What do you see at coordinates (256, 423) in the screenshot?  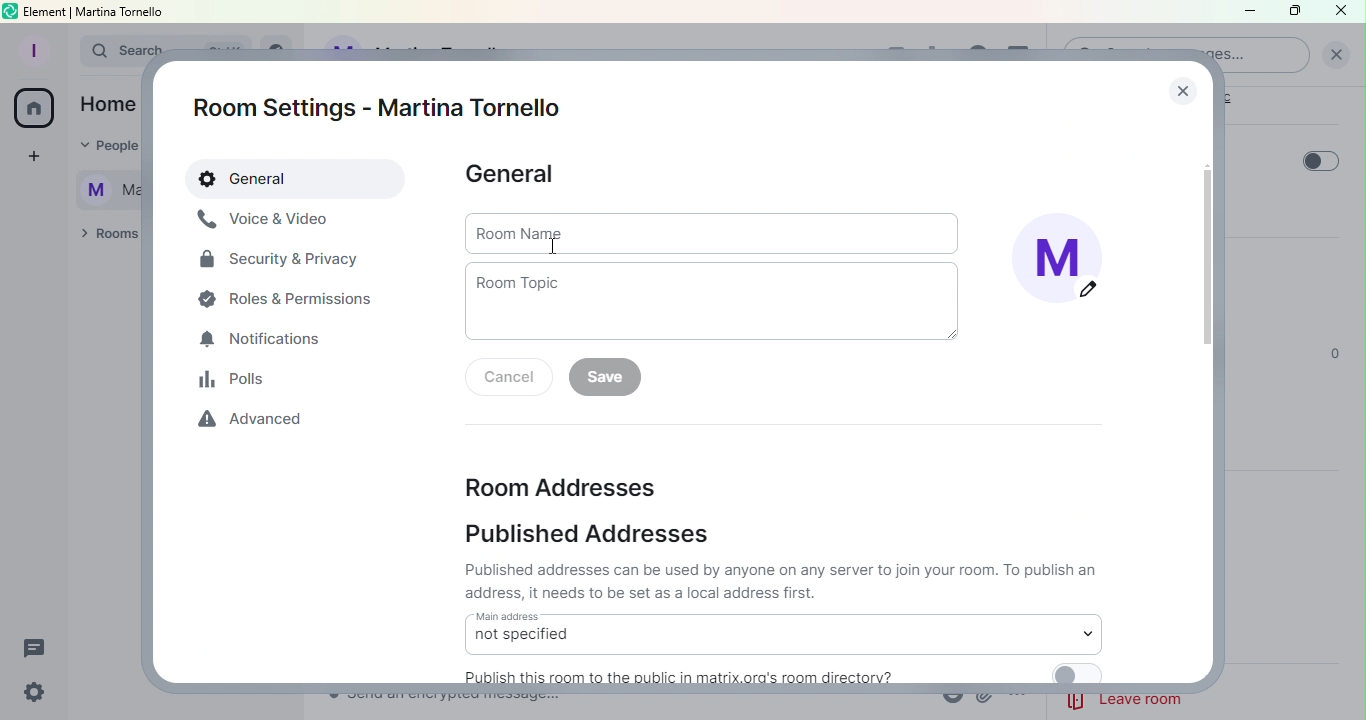 I see `Advanced` at bounding box center [256, 423].